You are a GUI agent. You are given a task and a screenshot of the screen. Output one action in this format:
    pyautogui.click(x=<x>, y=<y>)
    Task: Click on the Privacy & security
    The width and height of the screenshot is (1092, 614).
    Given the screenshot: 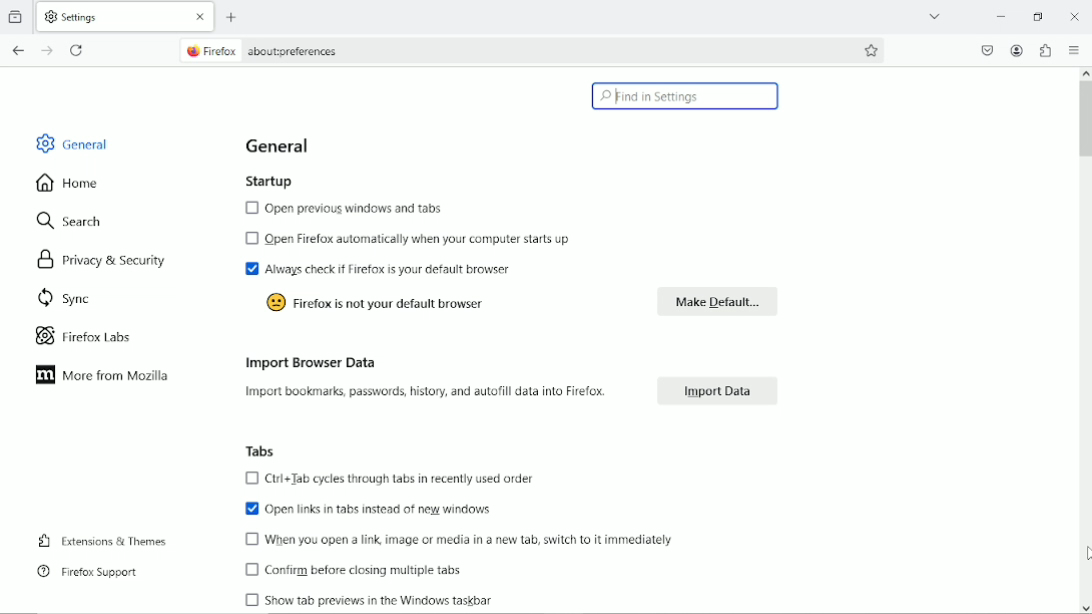 What is the action you would take?
    pyautogui.click(x=108, y=258)
    